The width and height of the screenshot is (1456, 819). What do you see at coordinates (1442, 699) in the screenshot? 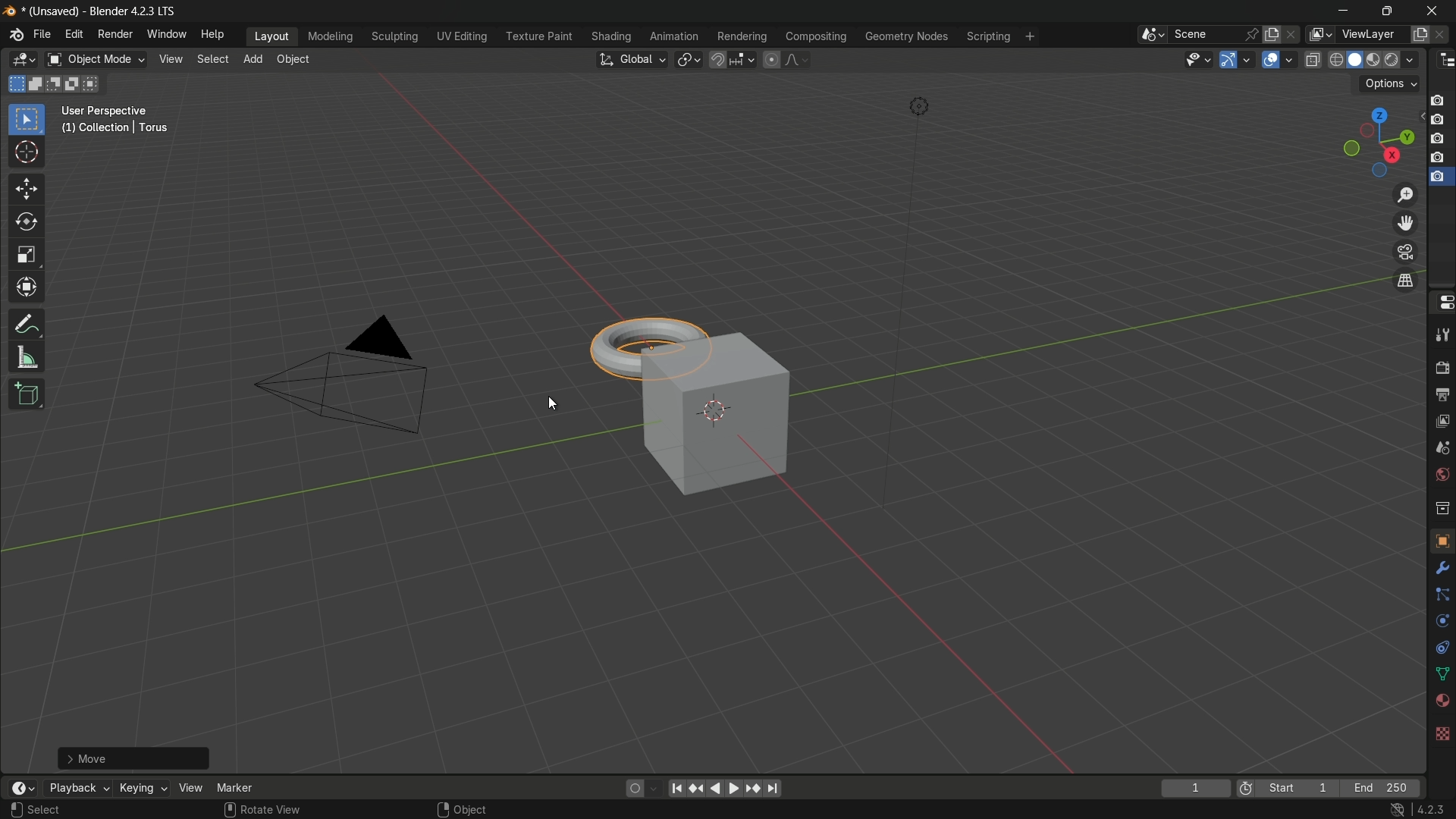
I see `material` at bounding box center [1442, 699].